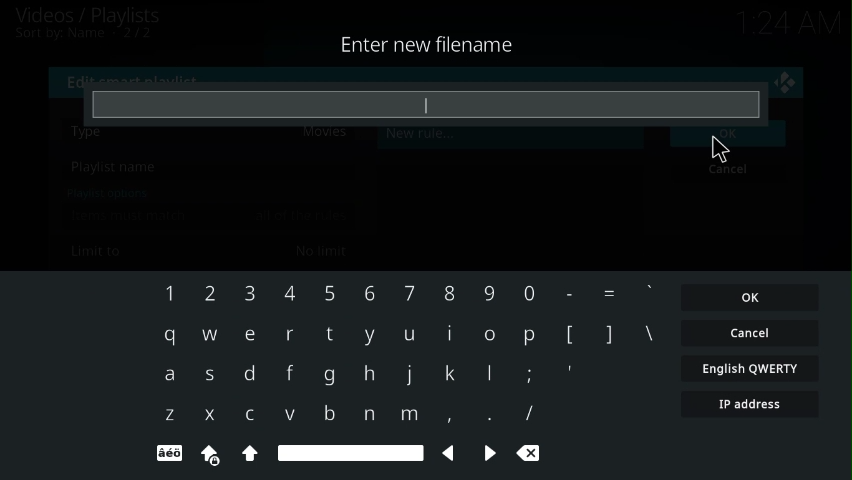  What do you see at coordinates (751, 332) in the screenshot?
I see `cancel` at bounding box center [751, 332].